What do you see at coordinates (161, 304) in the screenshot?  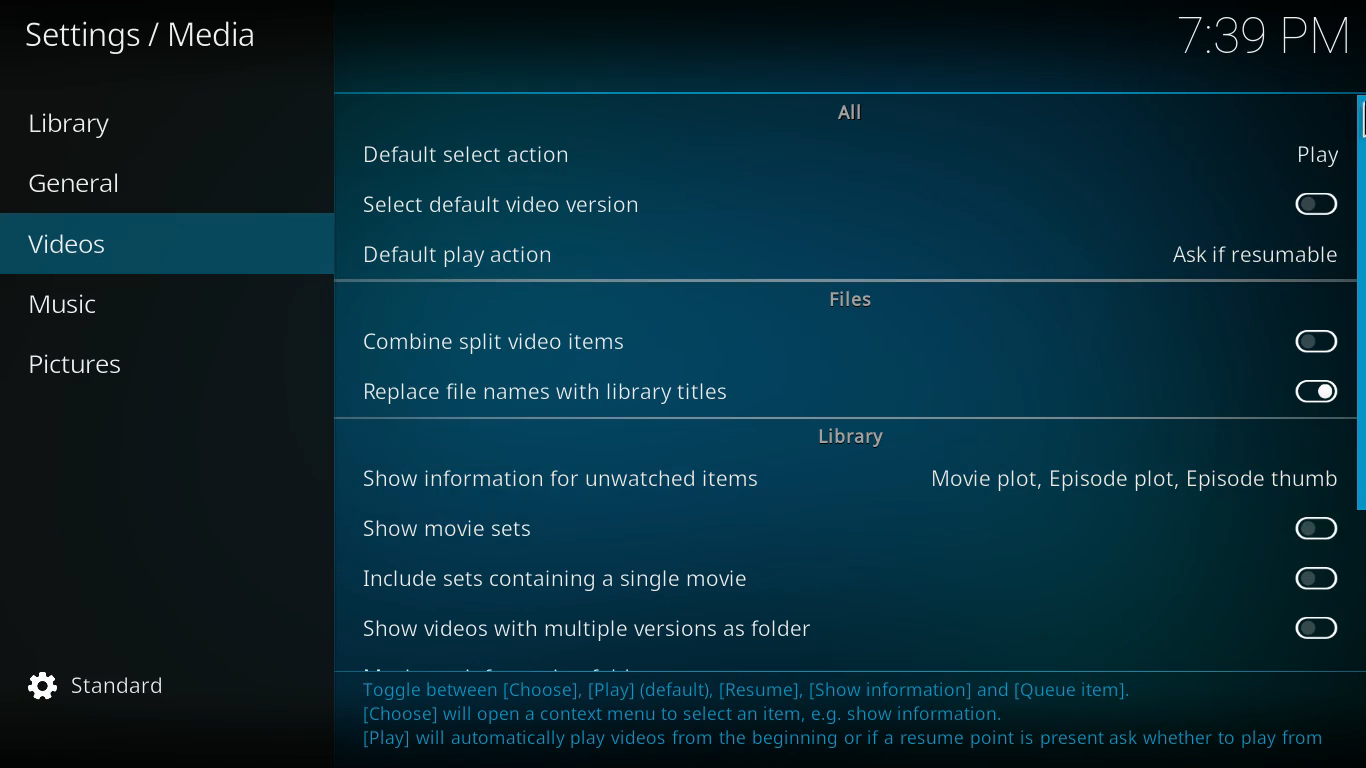 I see `music` at bounding box center [161, 304].